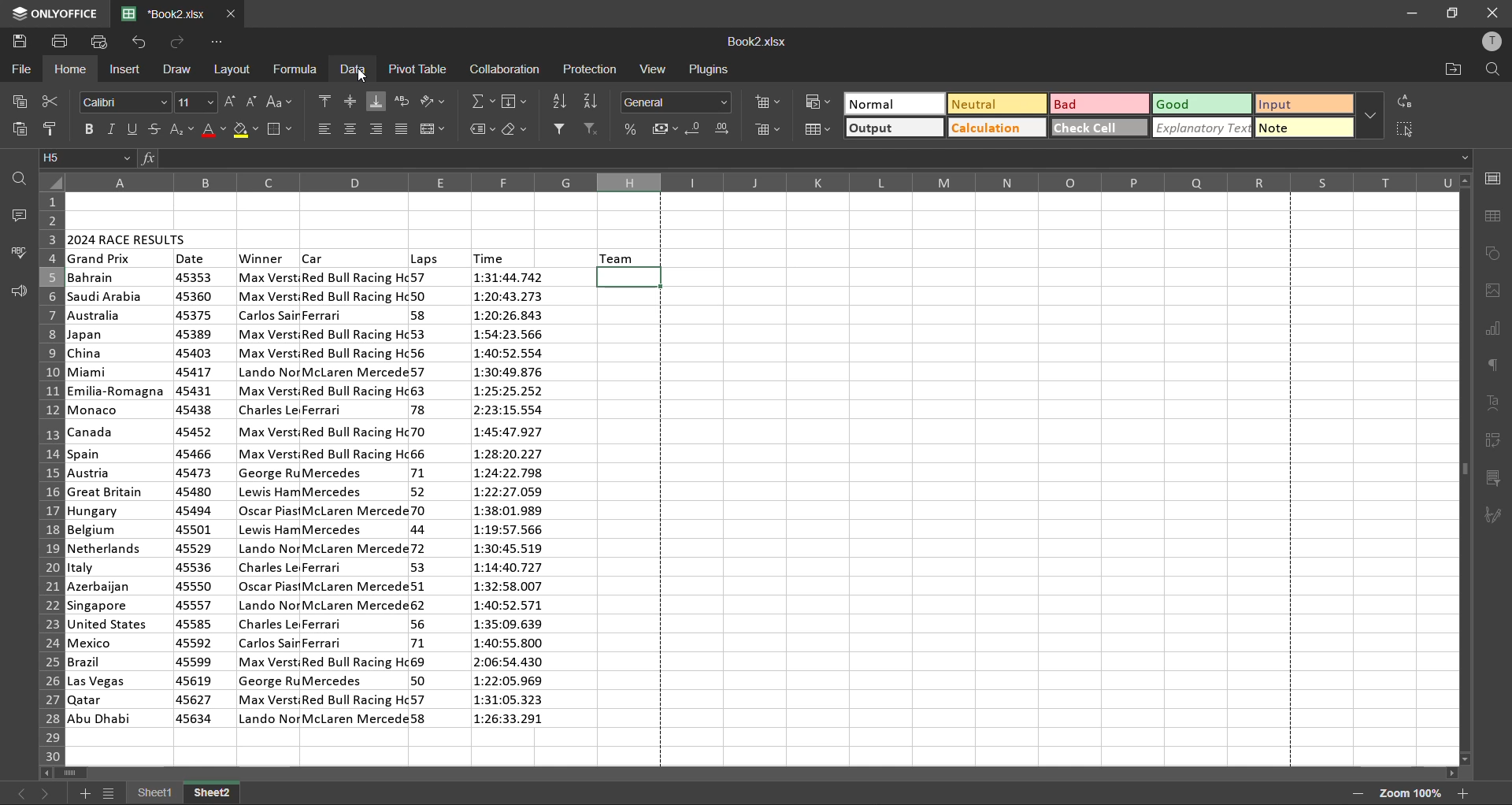  What do you see at coordinates (54, 13) in the screenshot?
I see `app name` at bounding box center [54, 13].